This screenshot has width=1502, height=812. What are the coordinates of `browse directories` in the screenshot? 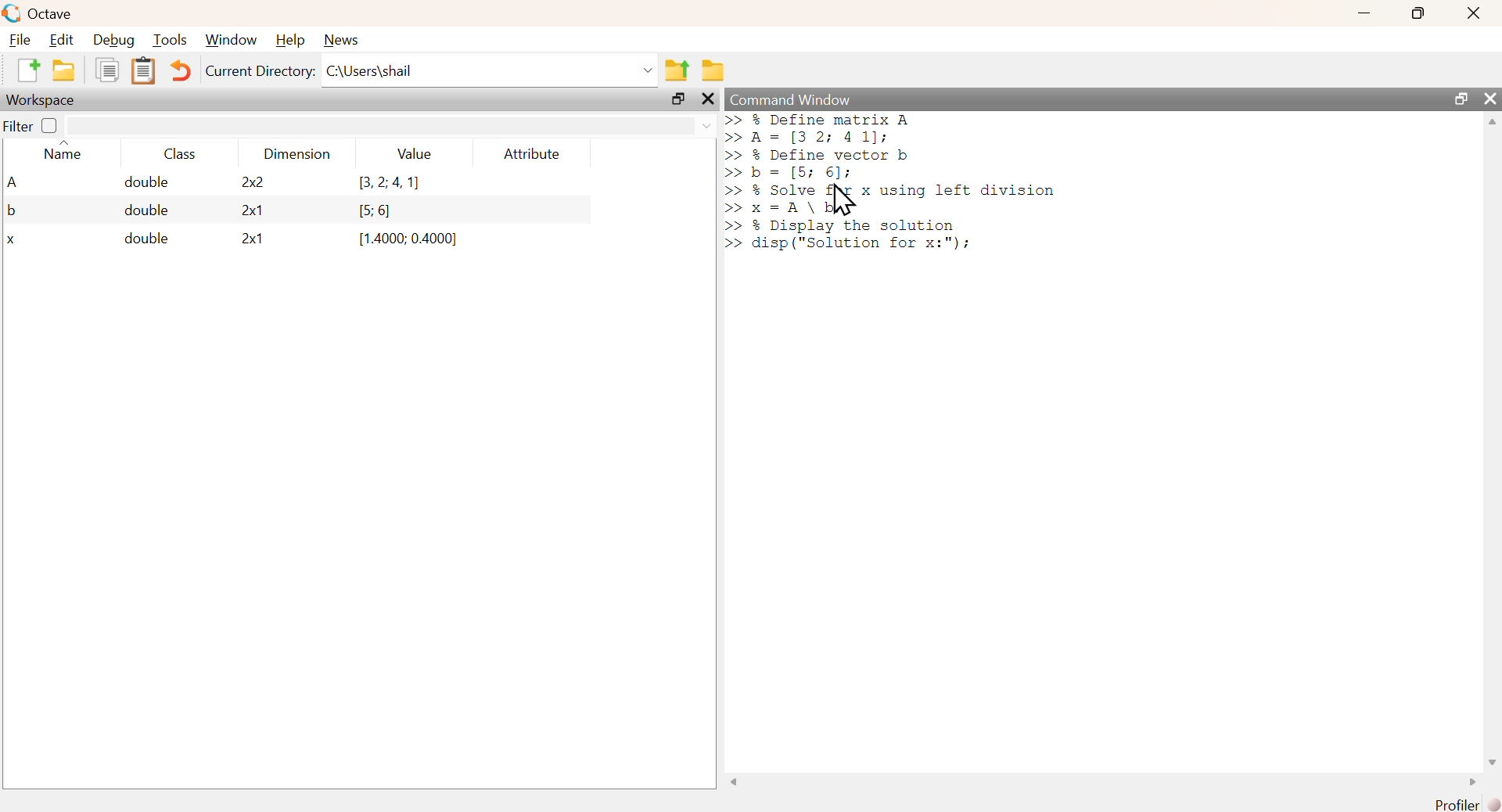 It's located at (714, 70).